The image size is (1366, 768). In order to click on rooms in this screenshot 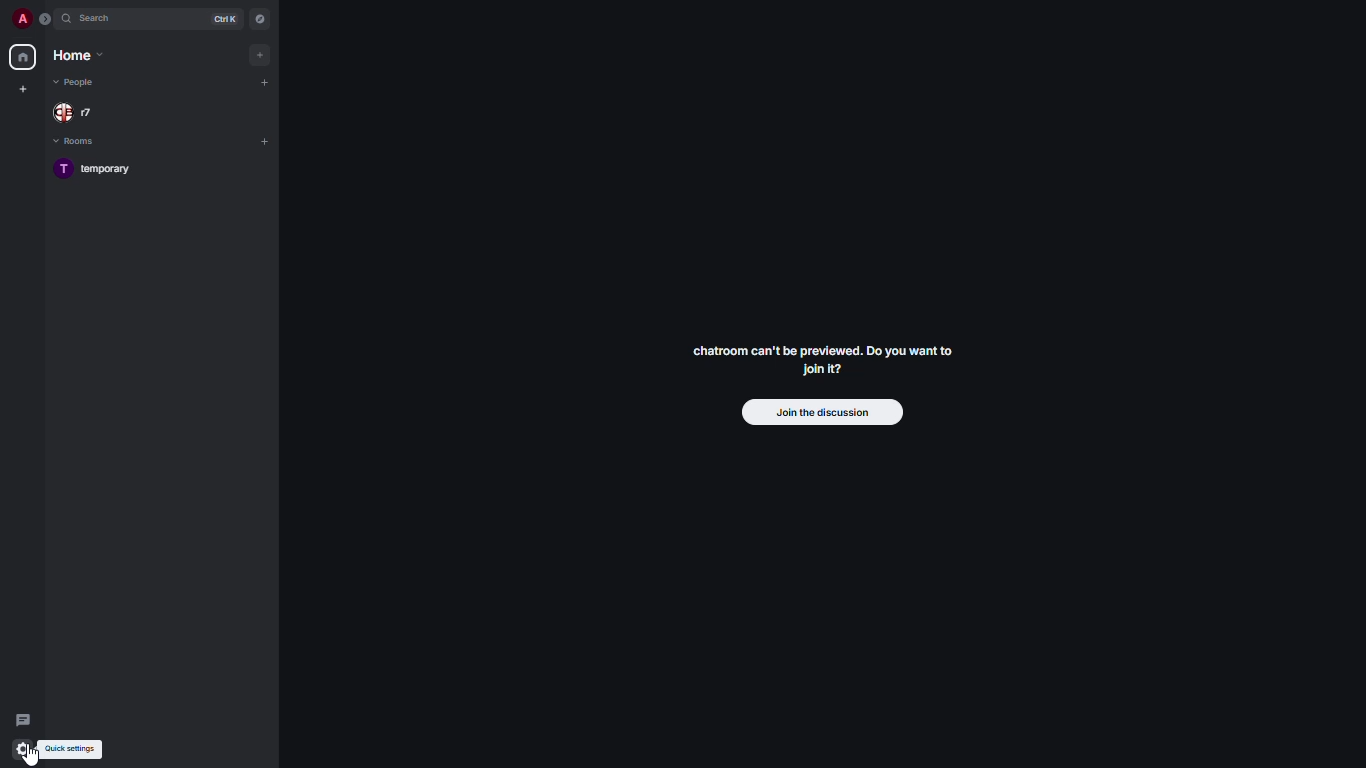, I will do `click(75, 141)`.